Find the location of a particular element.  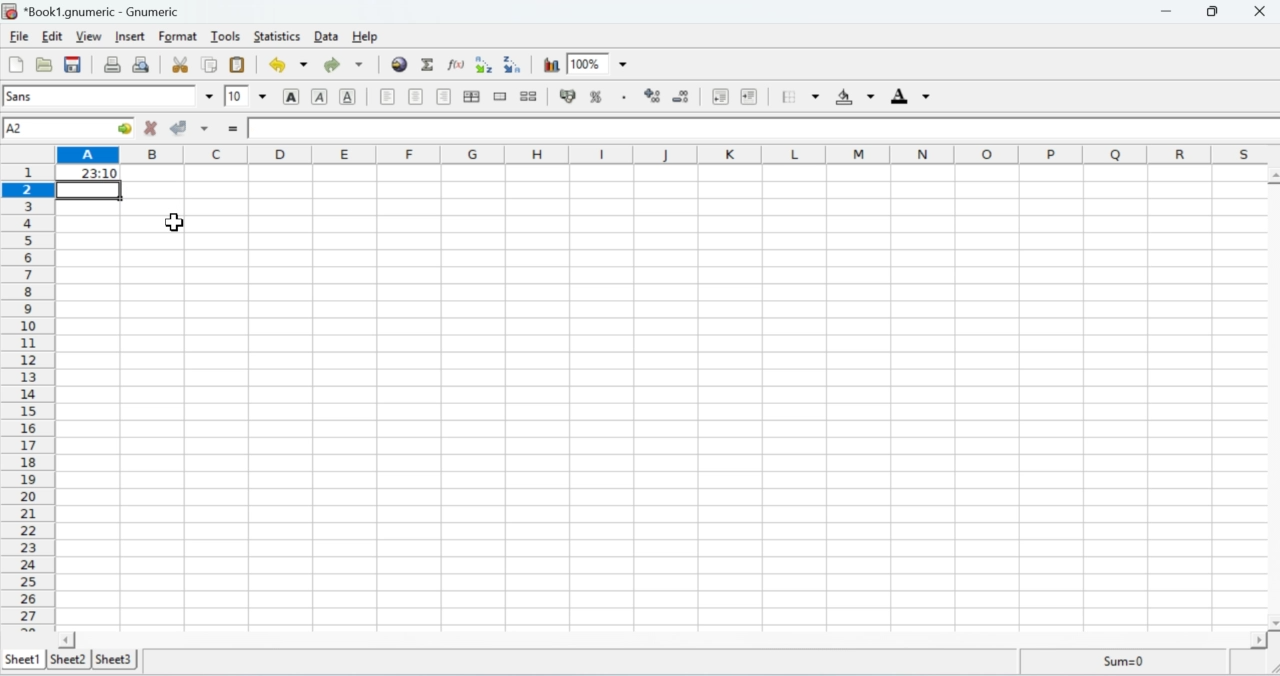

Sum into the current cell is located at coordinates (430, 66).